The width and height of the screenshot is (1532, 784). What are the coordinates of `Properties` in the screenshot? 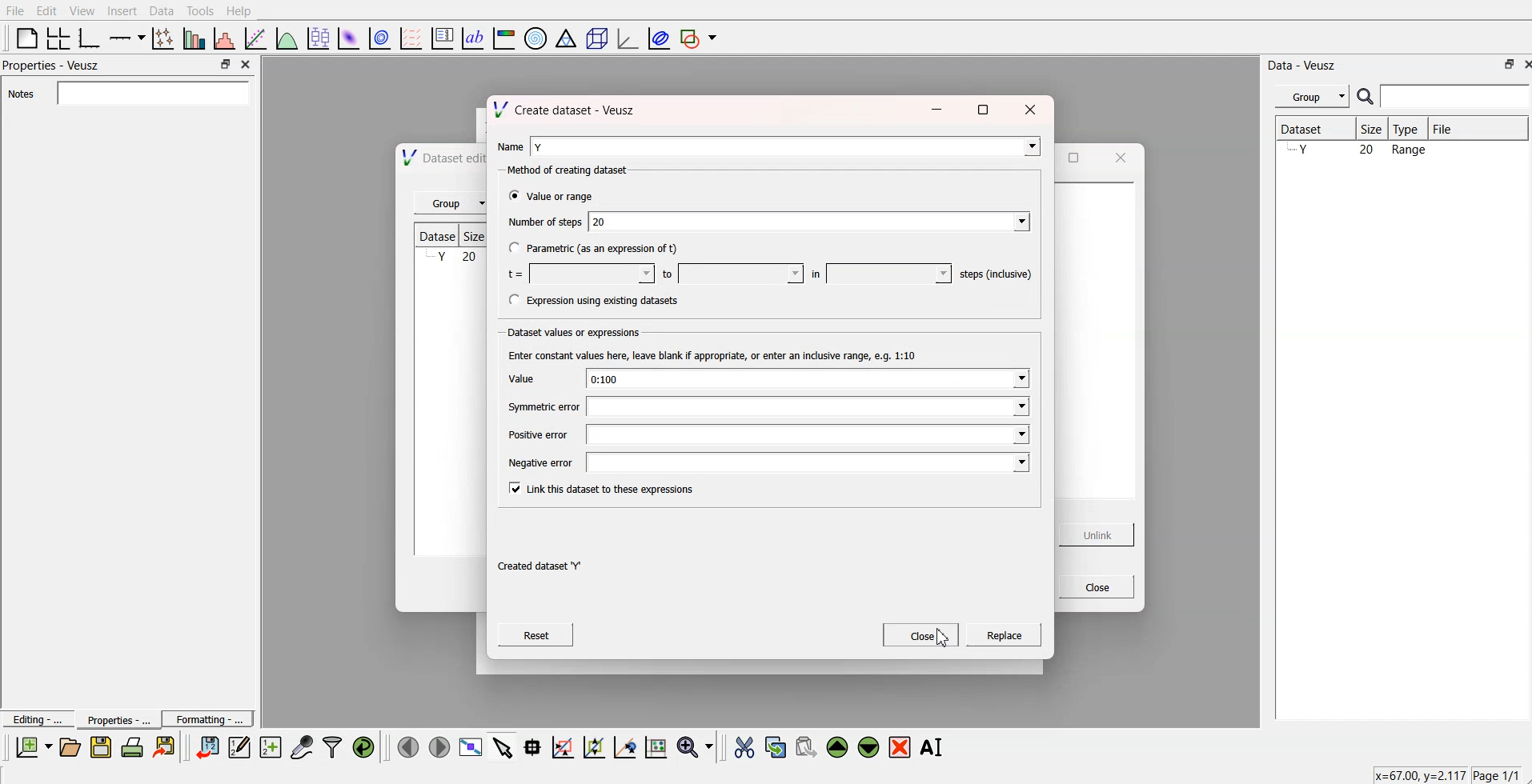 It's located at (113, 719).